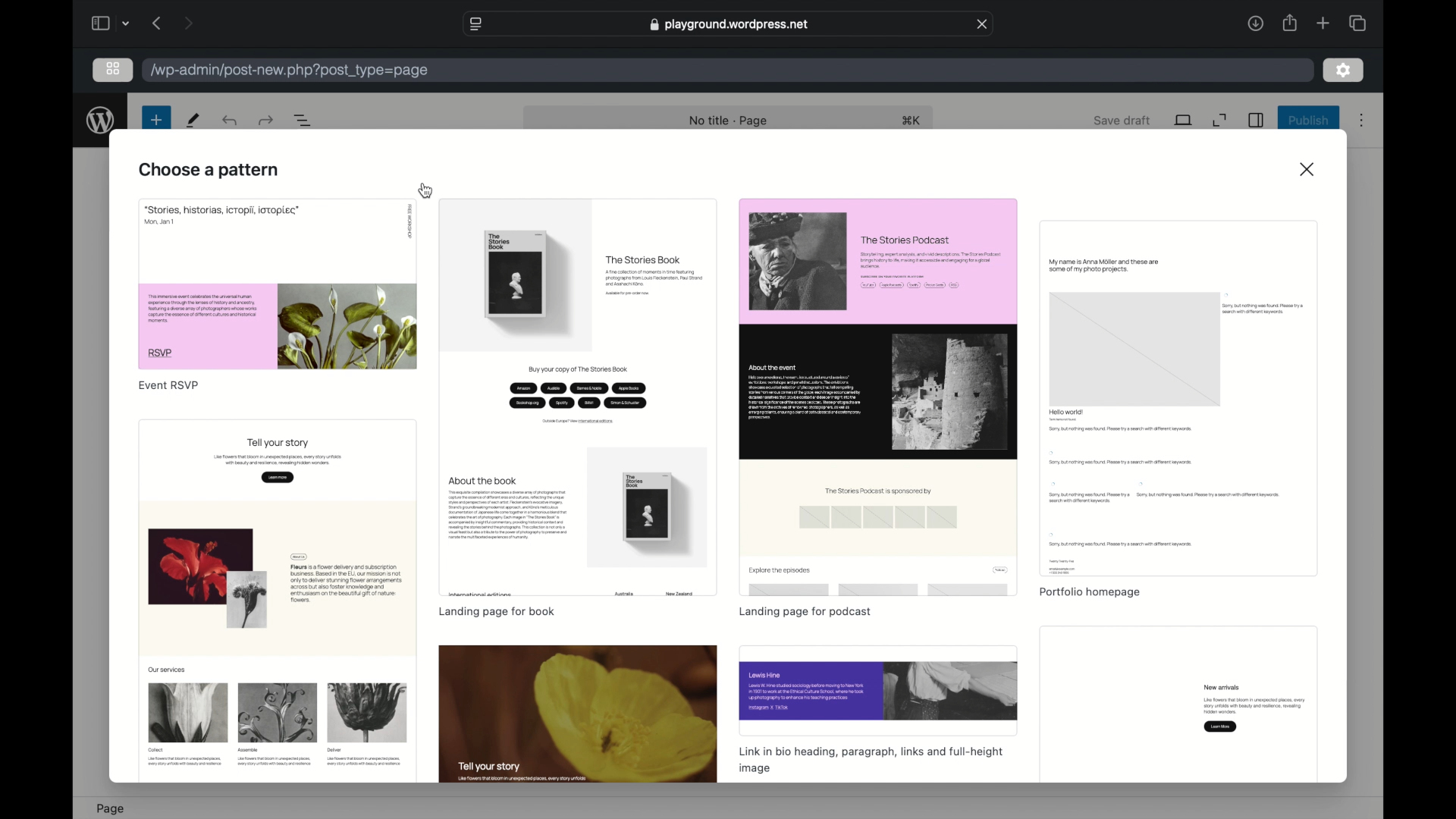 The width and height of the screenshot is (1456, 819). Describe the element at coordinates (1178, 705) in the screenshot. I see `preview` at that location.